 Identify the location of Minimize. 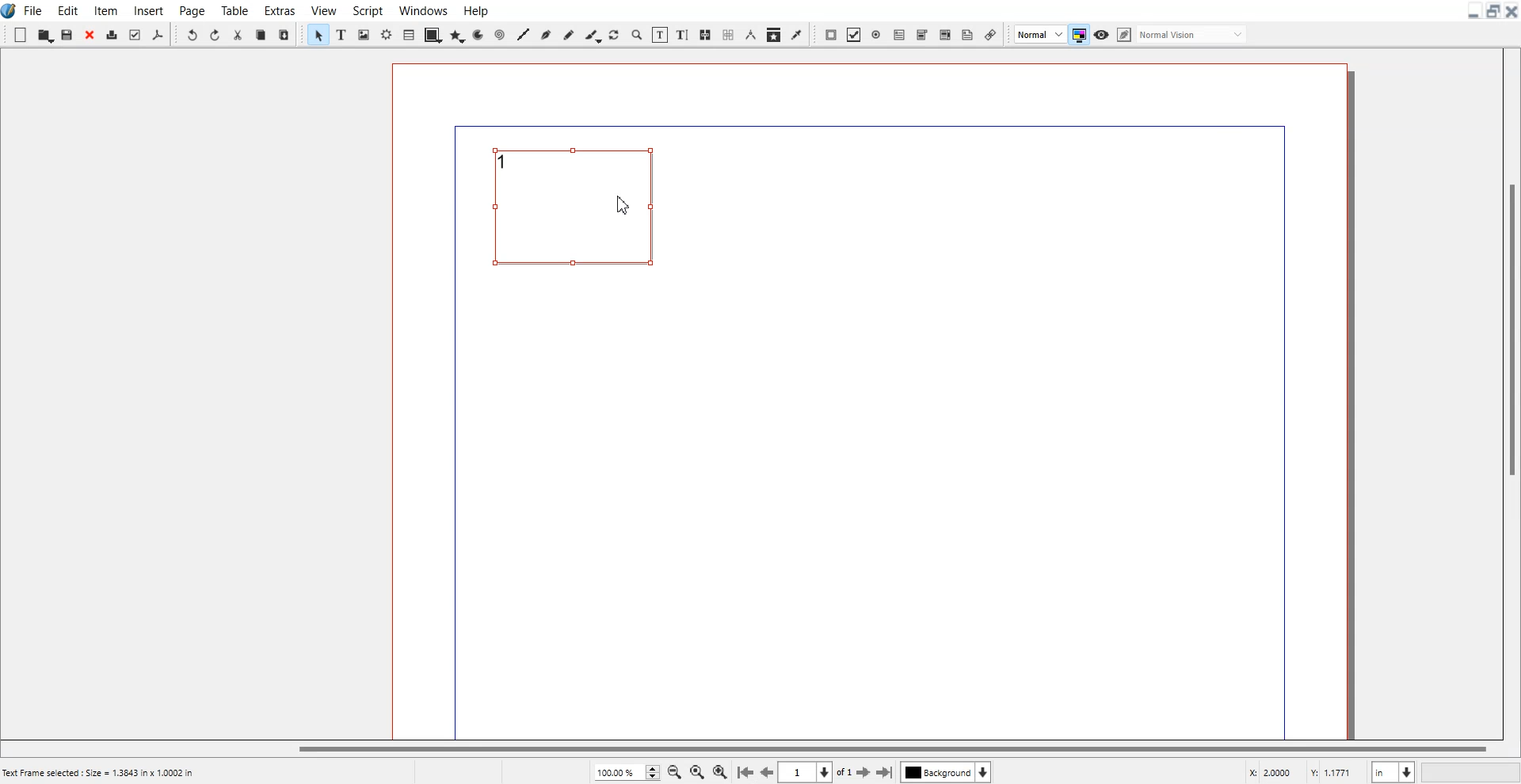
(1474, 11).